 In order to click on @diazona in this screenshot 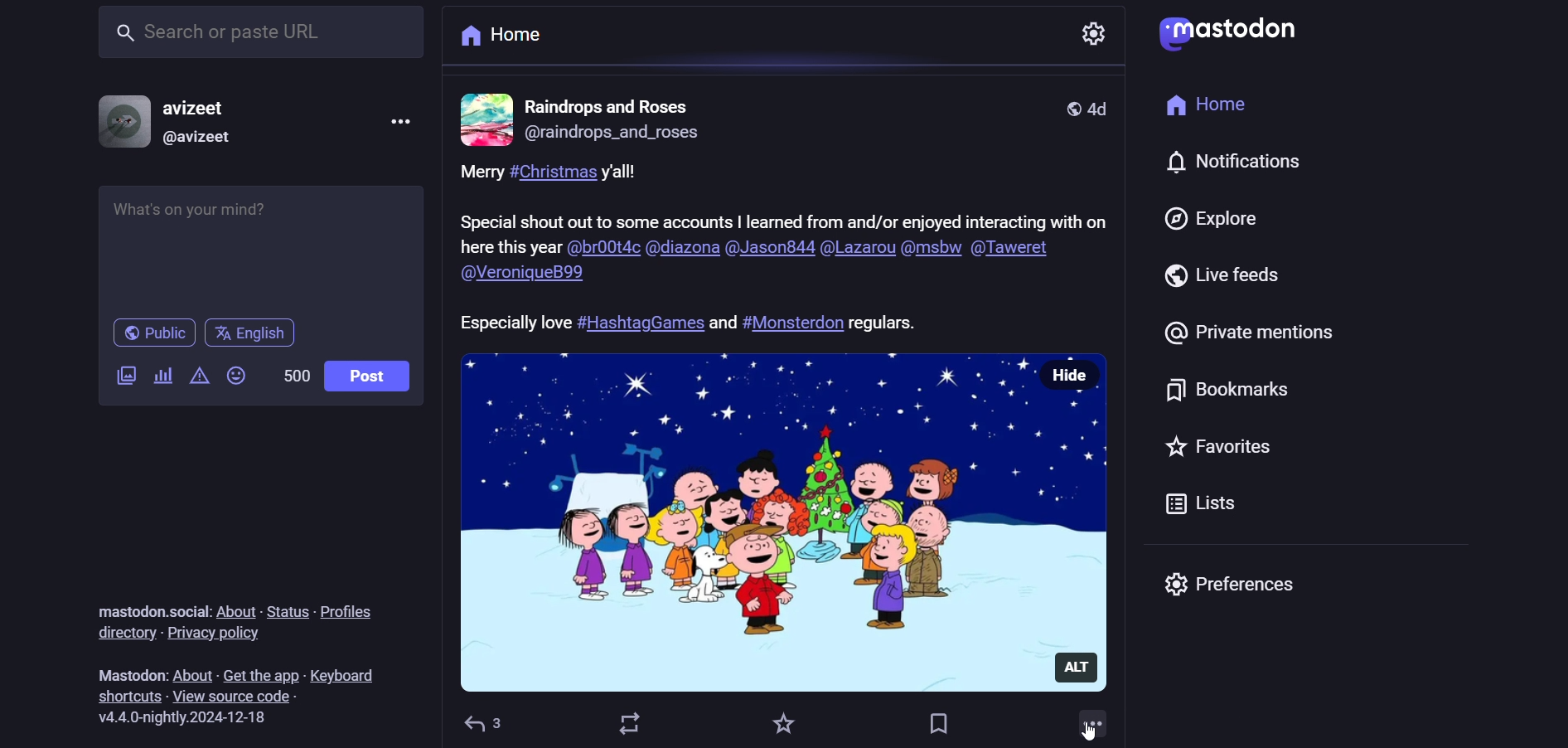, I will do `click(681, 250)`.